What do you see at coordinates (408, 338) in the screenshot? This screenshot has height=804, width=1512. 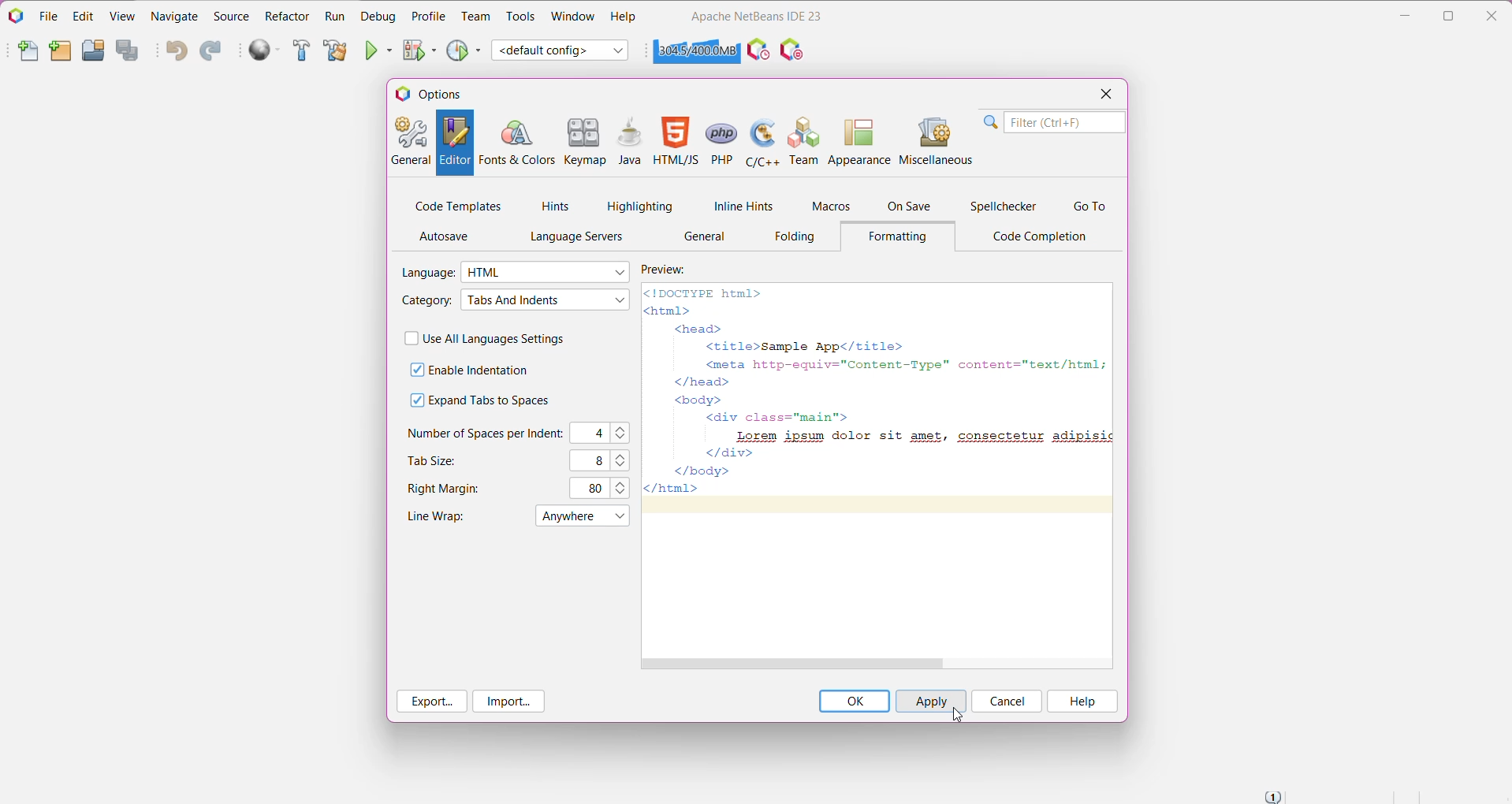 I see `check box` at bounding box center [408, 338].